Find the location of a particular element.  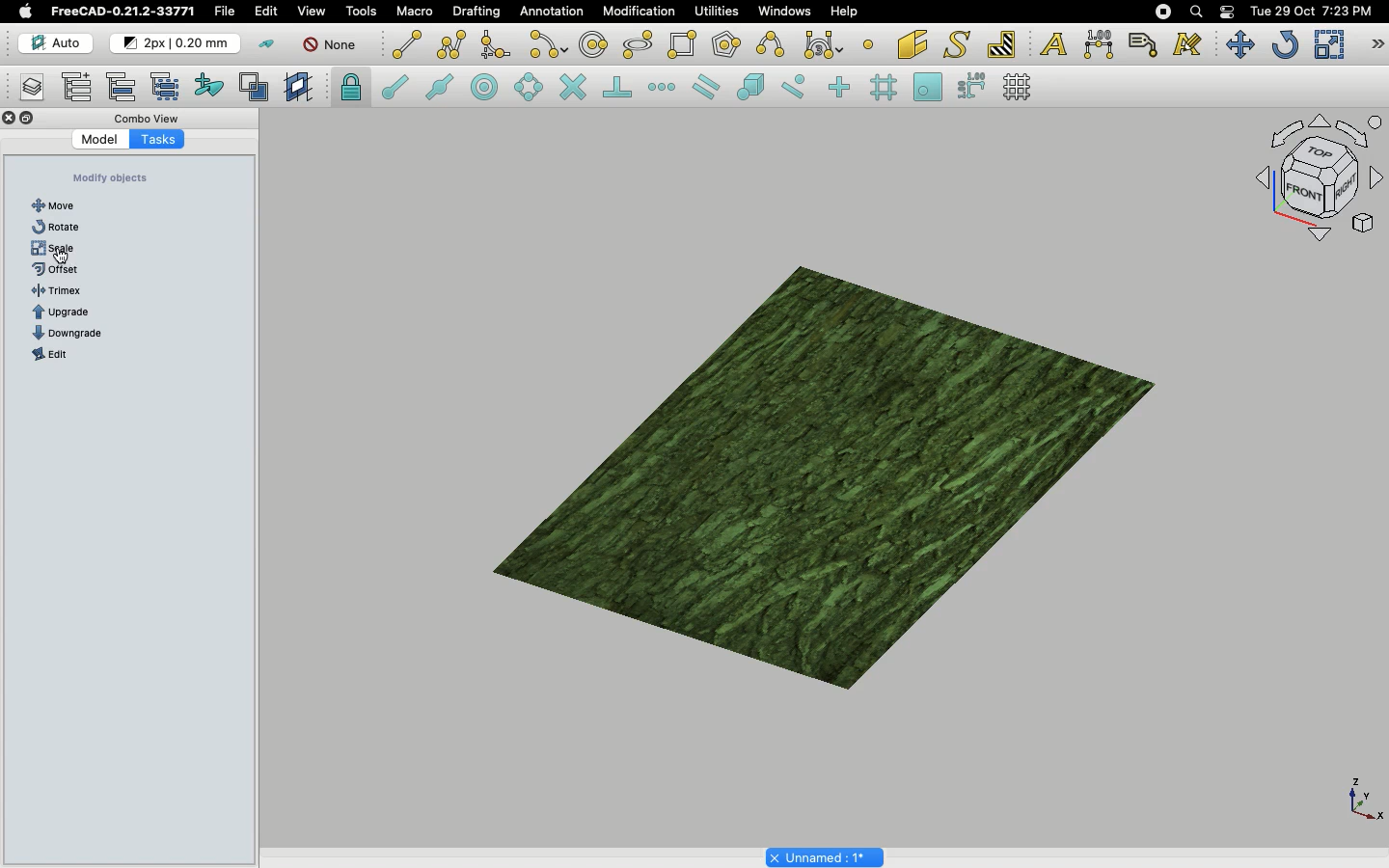

Polyline is located at coordinates (451, 44).